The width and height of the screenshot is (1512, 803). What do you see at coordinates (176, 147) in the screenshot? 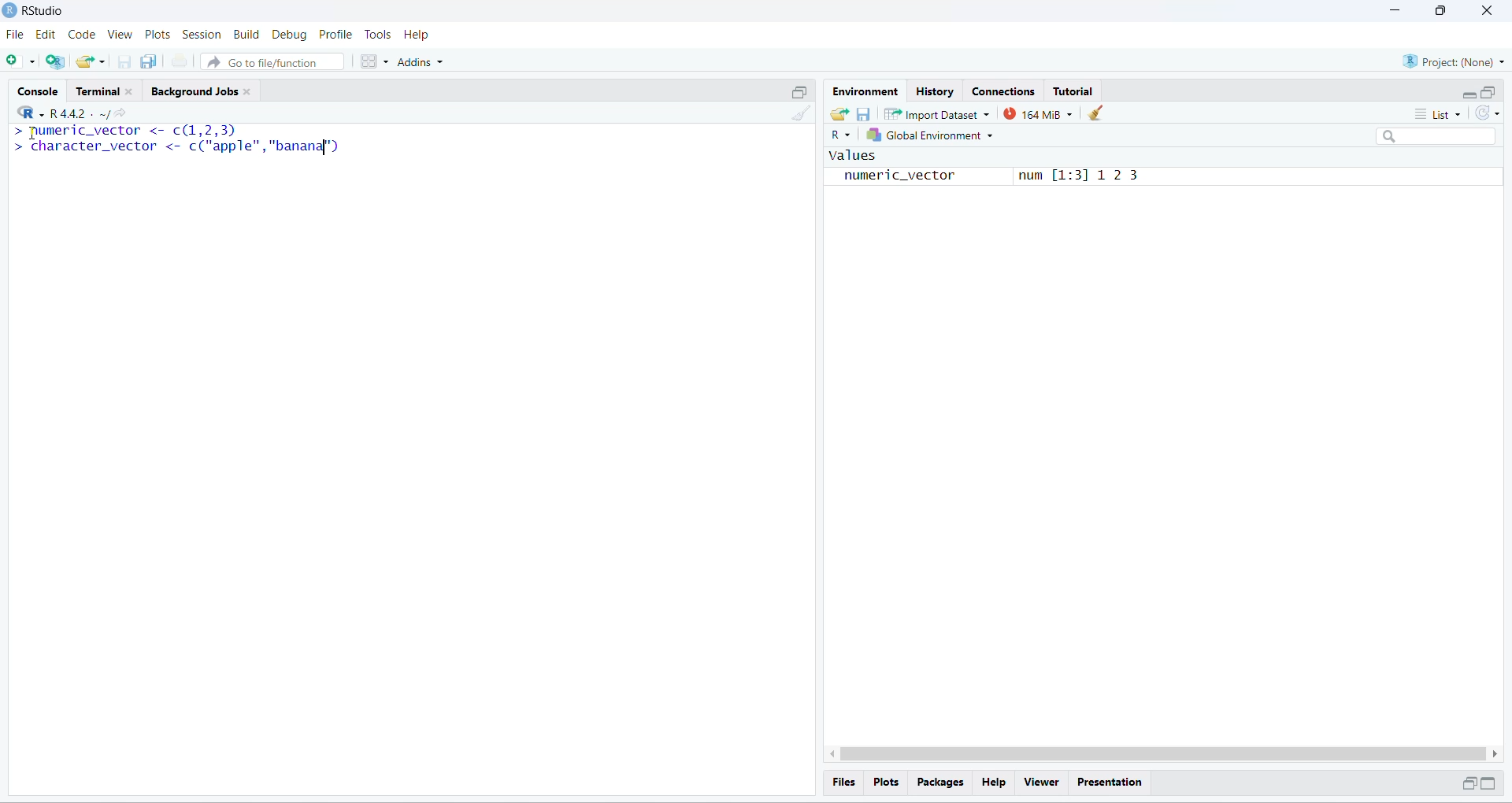
I see `‘character_vector <- c("apple","banana")` at bounding box center [176, 147].